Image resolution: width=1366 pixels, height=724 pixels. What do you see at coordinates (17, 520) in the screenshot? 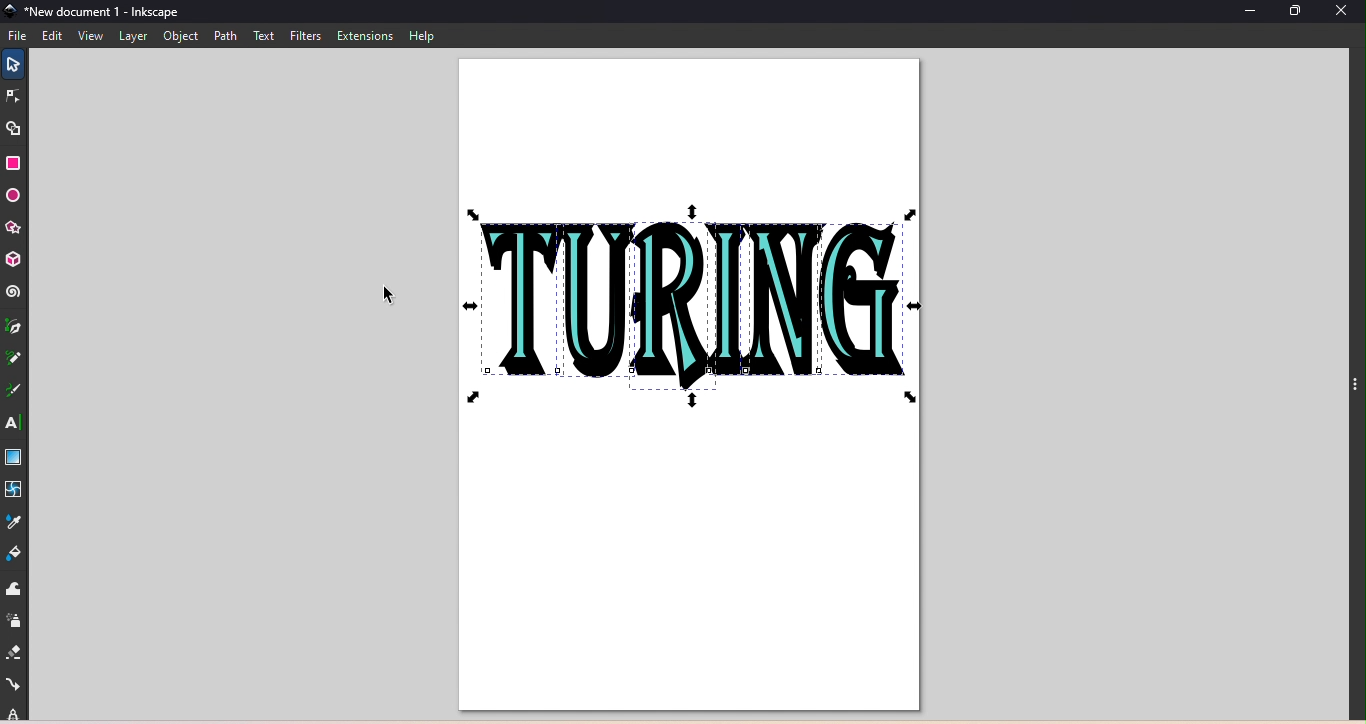
I see `Dropper tool` at bounding box center [17, 520].